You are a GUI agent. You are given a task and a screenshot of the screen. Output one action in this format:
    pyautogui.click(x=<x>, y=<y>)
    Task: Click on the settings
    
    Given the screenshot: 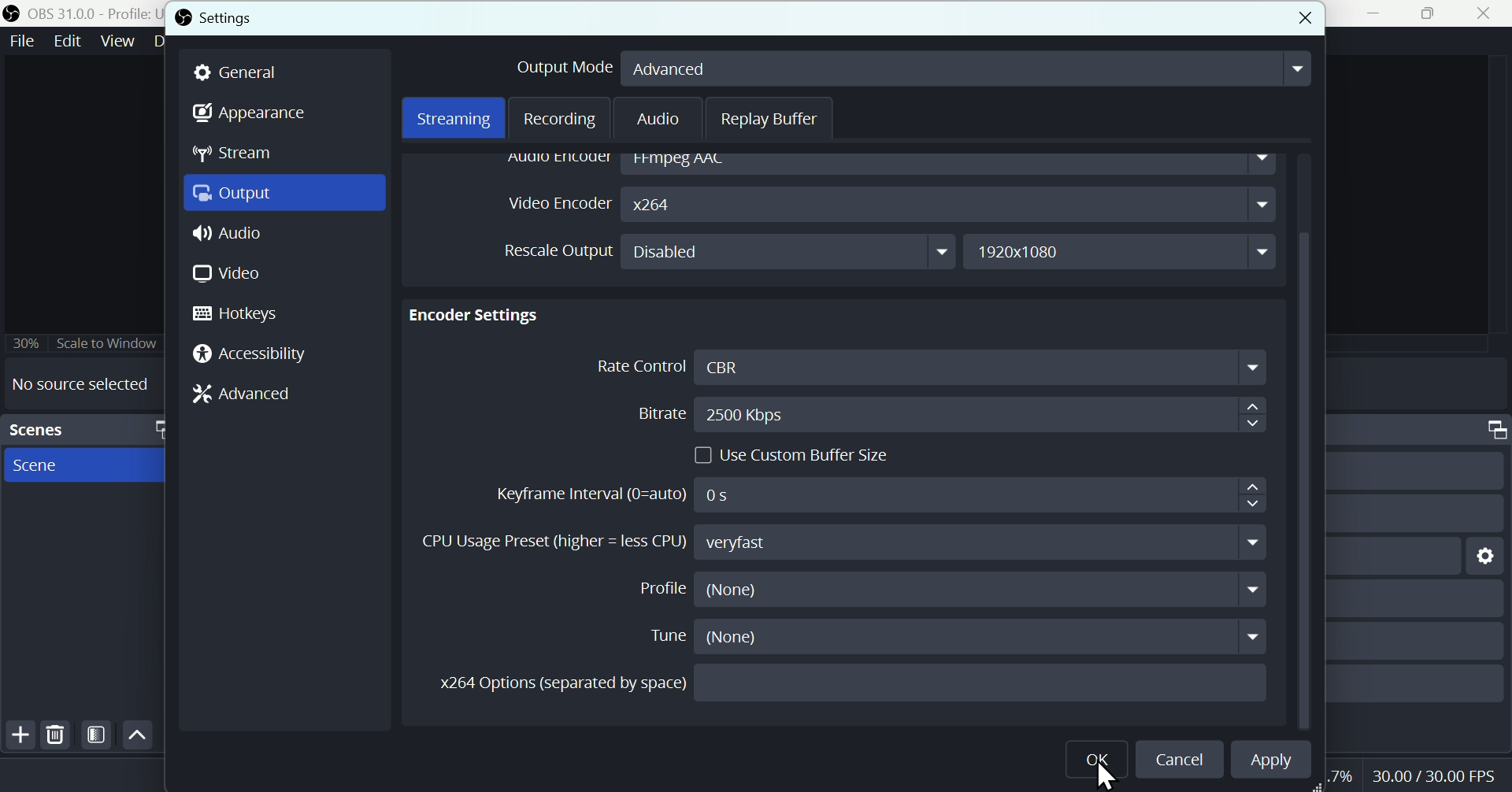 What is the action you would take?
    pyautogui.click(x=1487, y=557)
    